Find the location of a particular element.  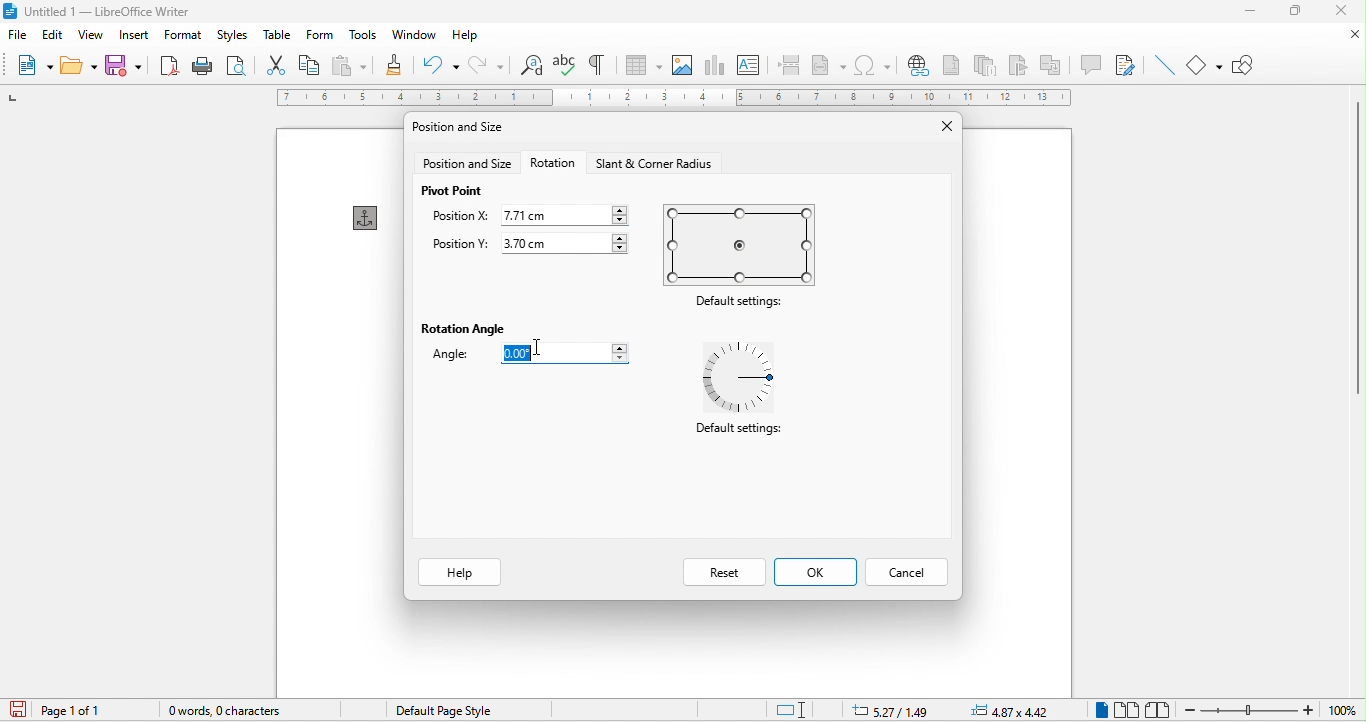

undo is located at coordinates (438, 65).